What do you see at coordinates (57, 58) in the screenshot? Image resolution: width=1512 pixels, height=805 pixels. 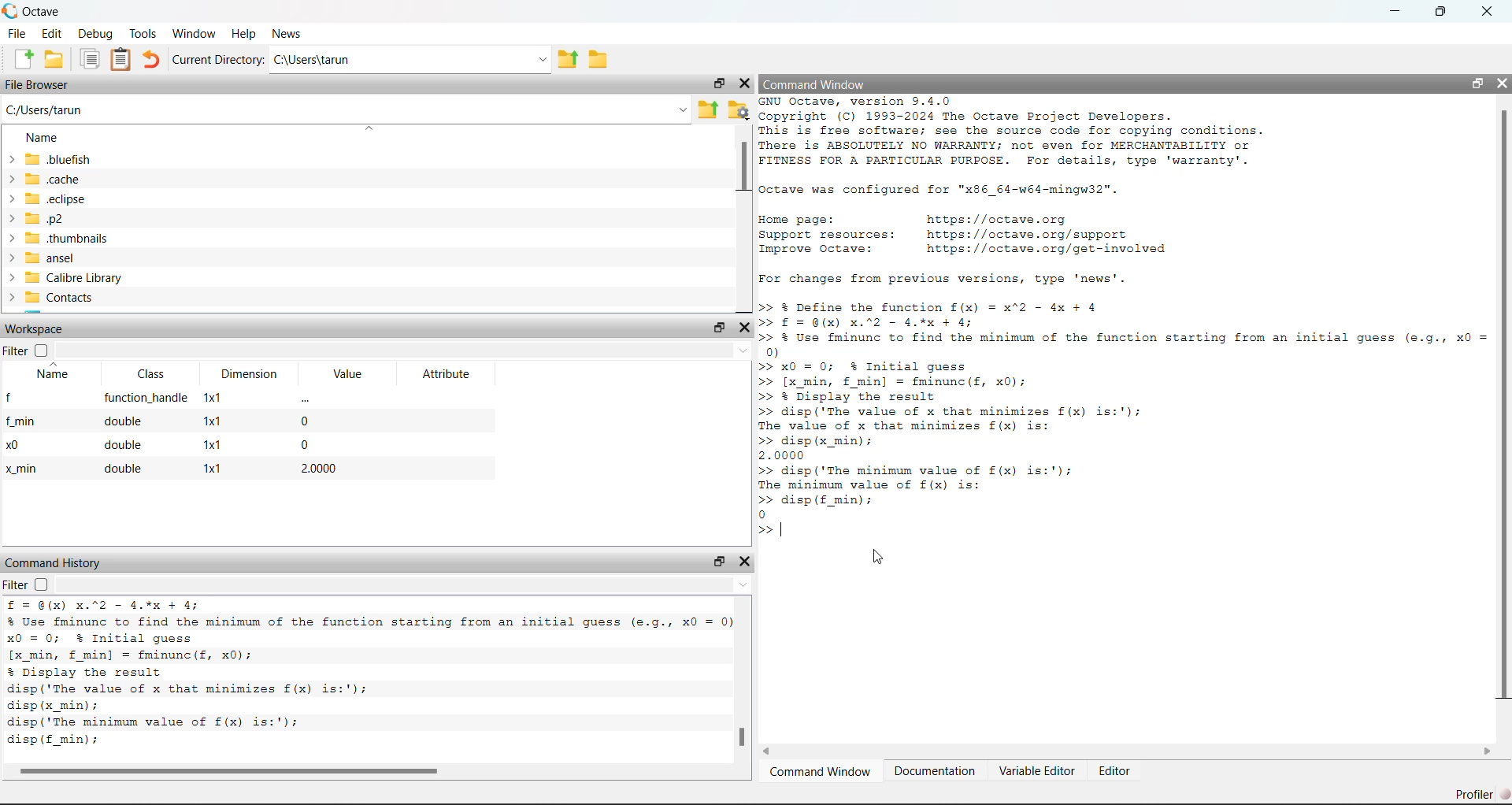 I see `Open an existing file in editor` at bounding box center [57, 58].